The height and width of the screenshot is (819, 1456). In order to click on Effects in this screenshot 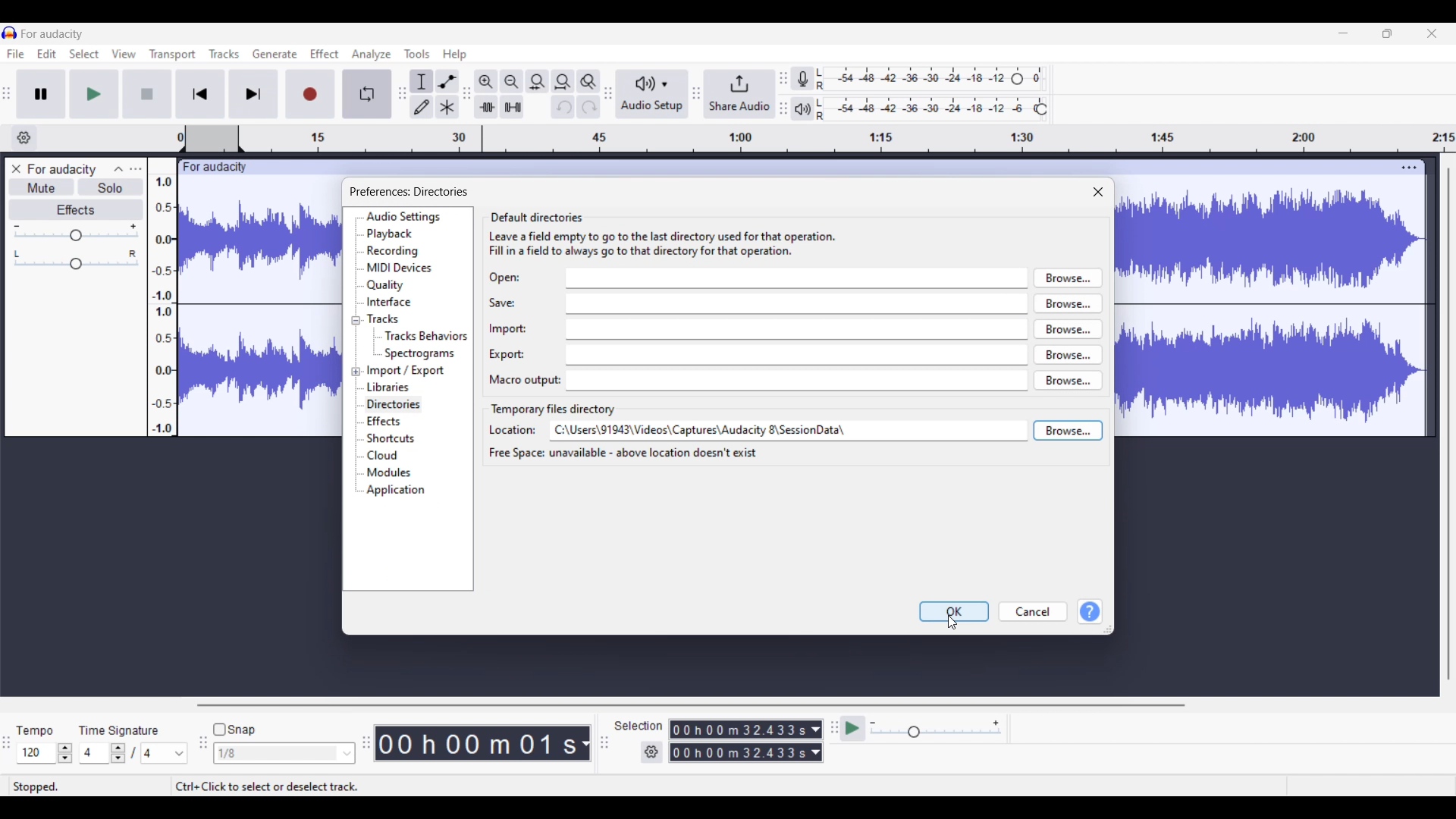, I will do `click(384, 421)`.